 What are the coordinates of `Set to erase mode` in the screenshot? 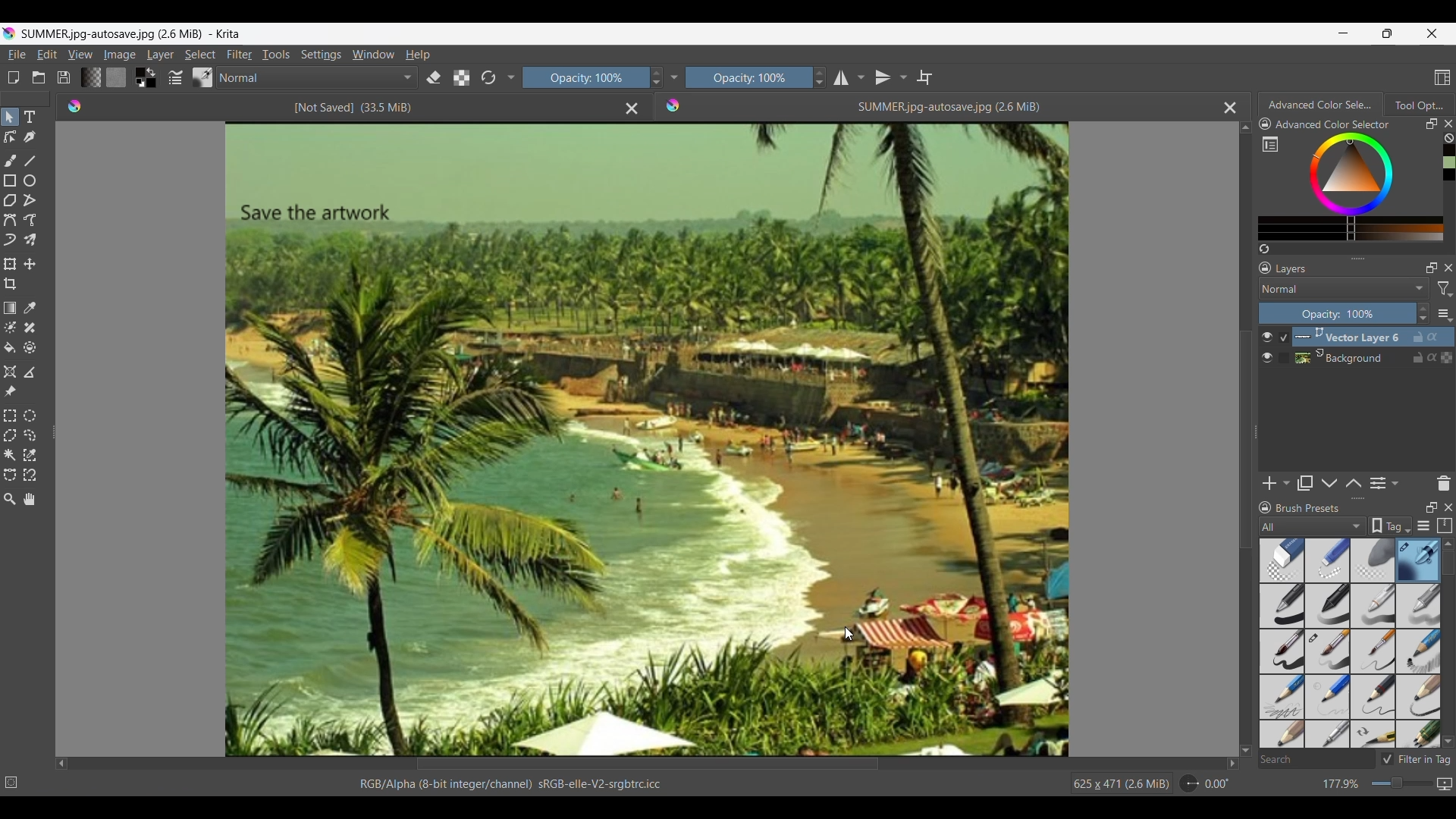 It's located at (434, 78).